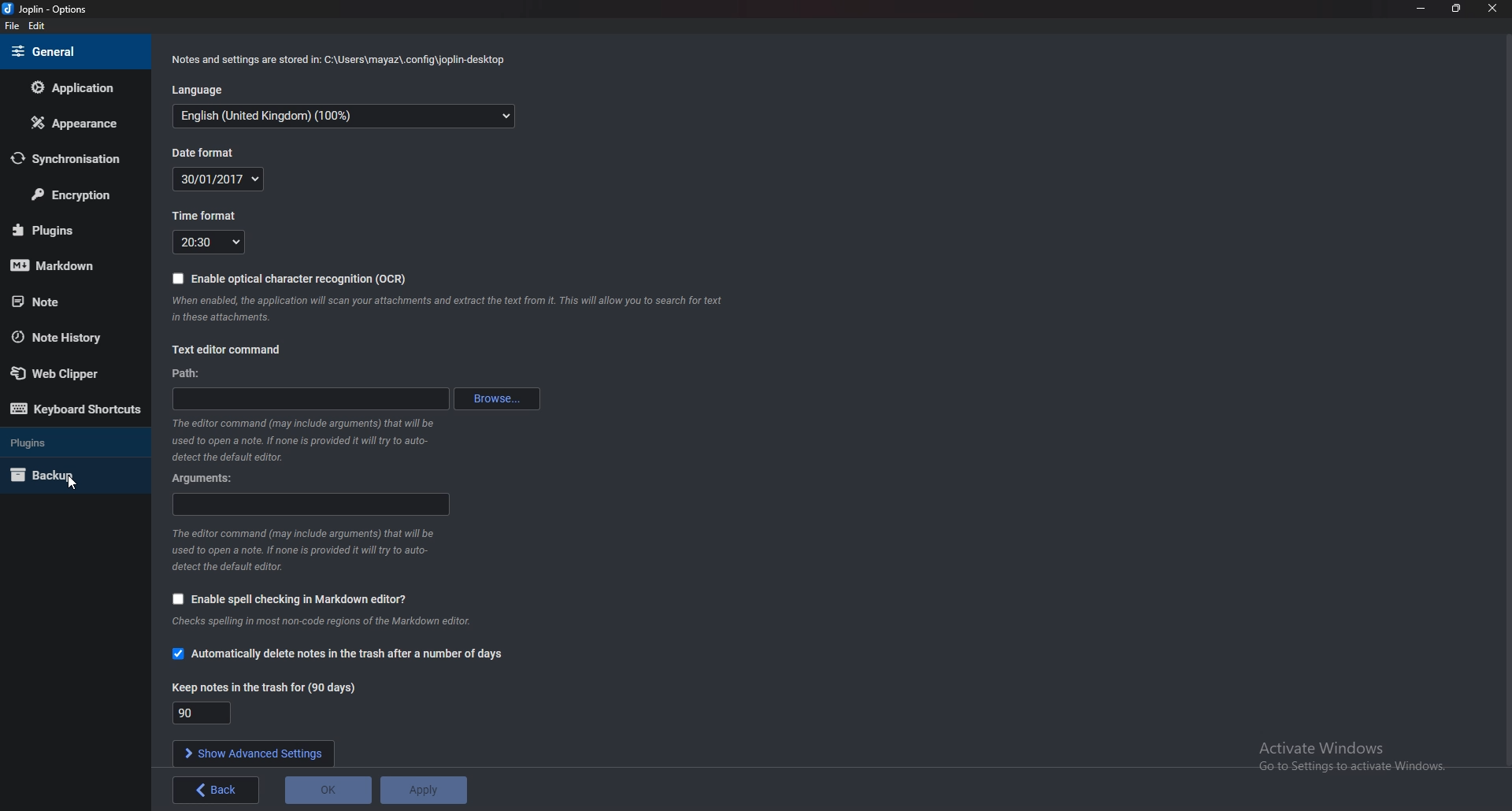 The height and width of the screenshot is (811, 1512). Describe the element at coordinates (294, 598) in the screenshot. I see `enable spell checking` at that location.